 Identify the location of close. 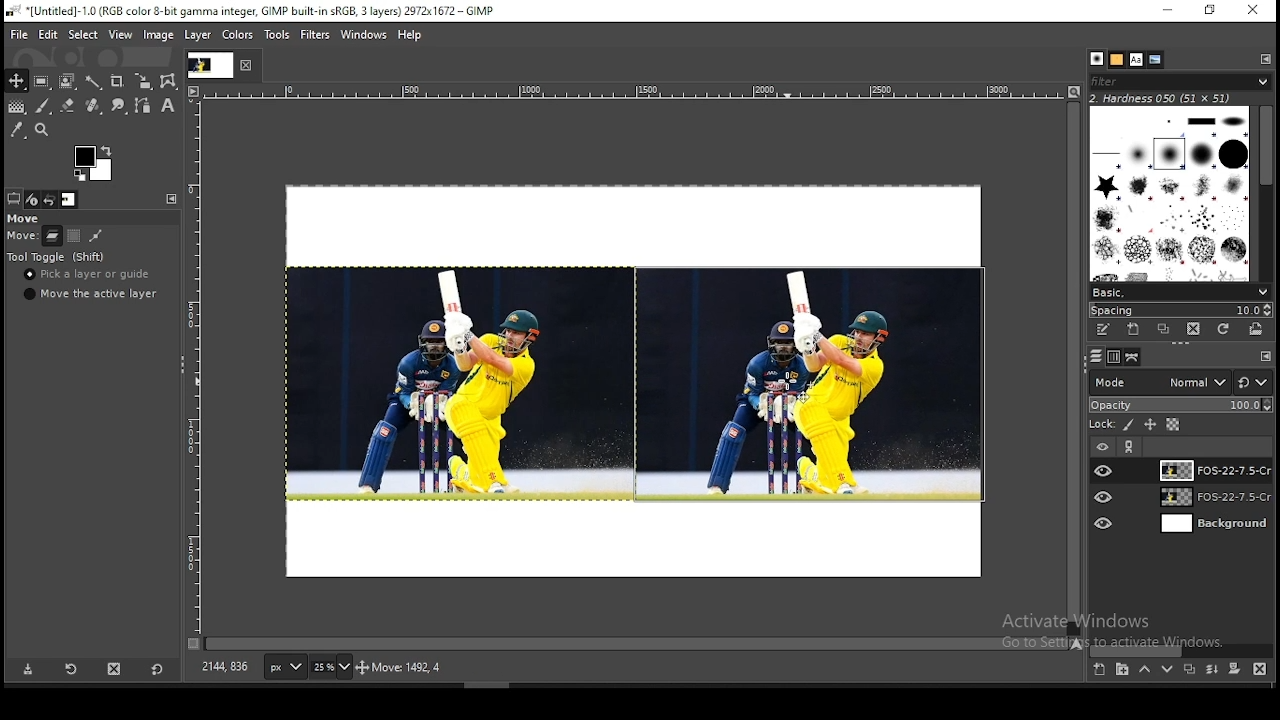
(247, 66).